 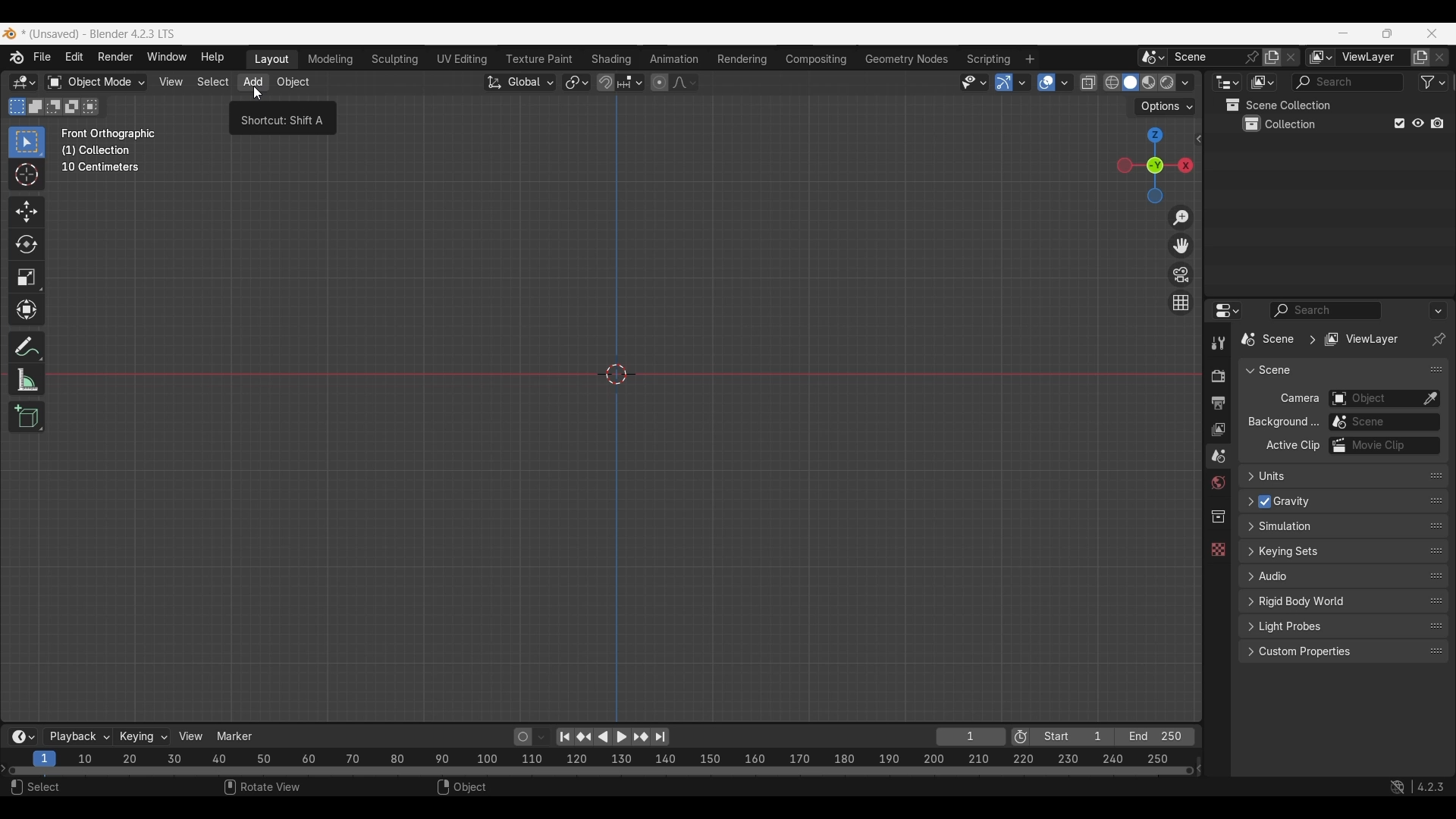 I want to click on More options, so click(x=21, y=737).